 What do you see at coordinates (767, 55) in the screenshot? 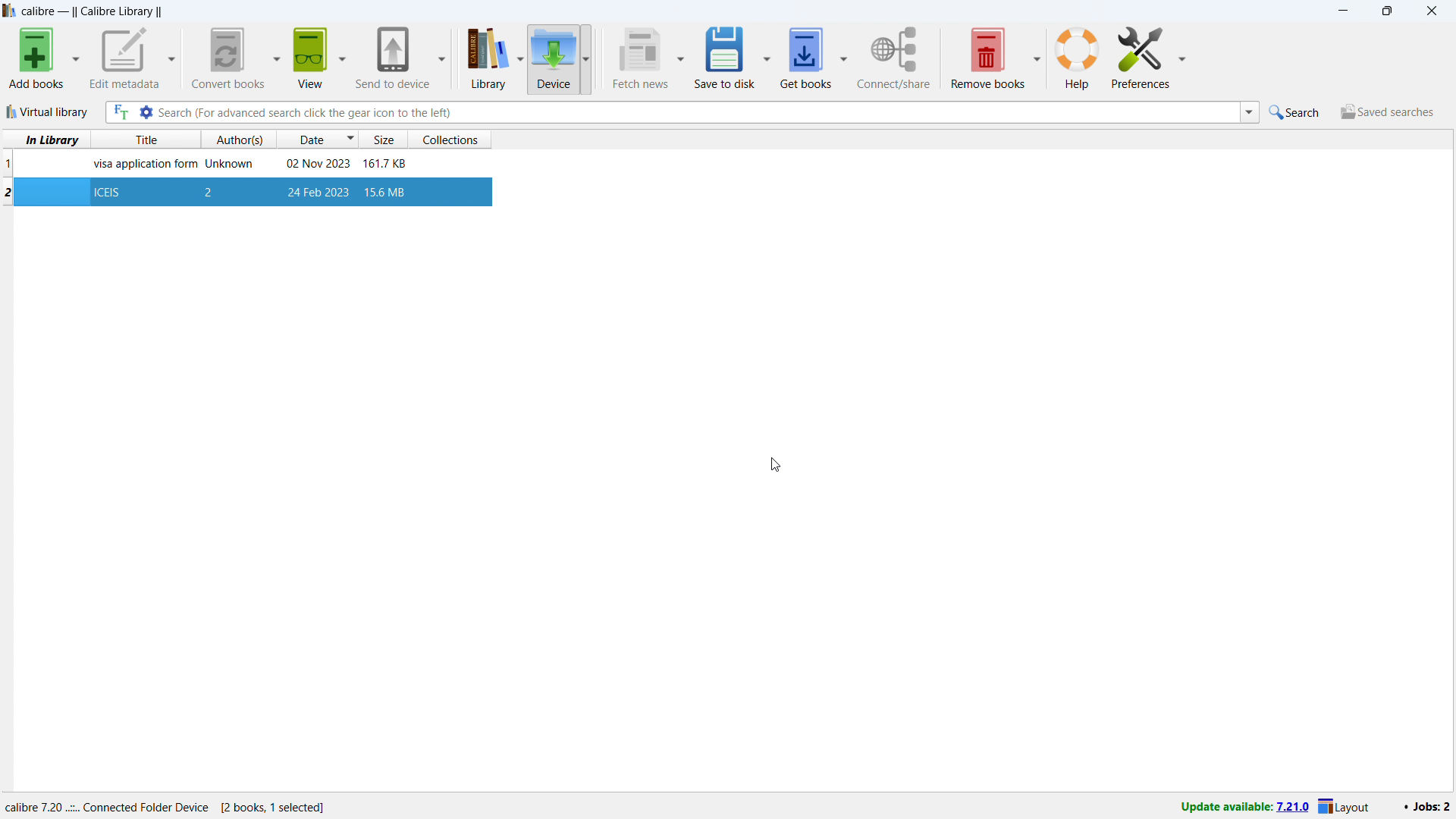
I see `save to disk options` at bounding box center [767, 55].